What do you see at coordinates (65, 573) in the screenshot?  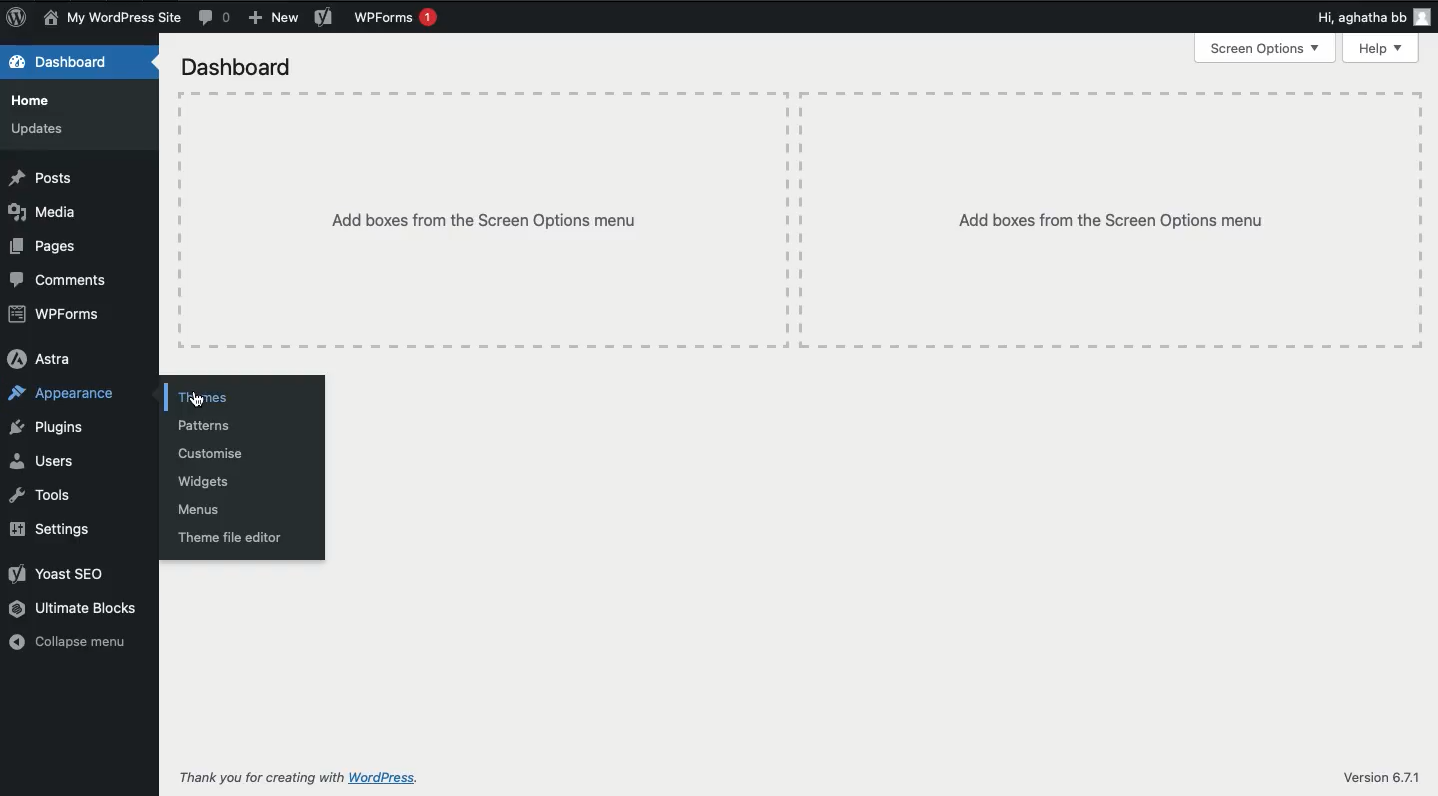 I see `Yoast` at bounding box center [65, 573].